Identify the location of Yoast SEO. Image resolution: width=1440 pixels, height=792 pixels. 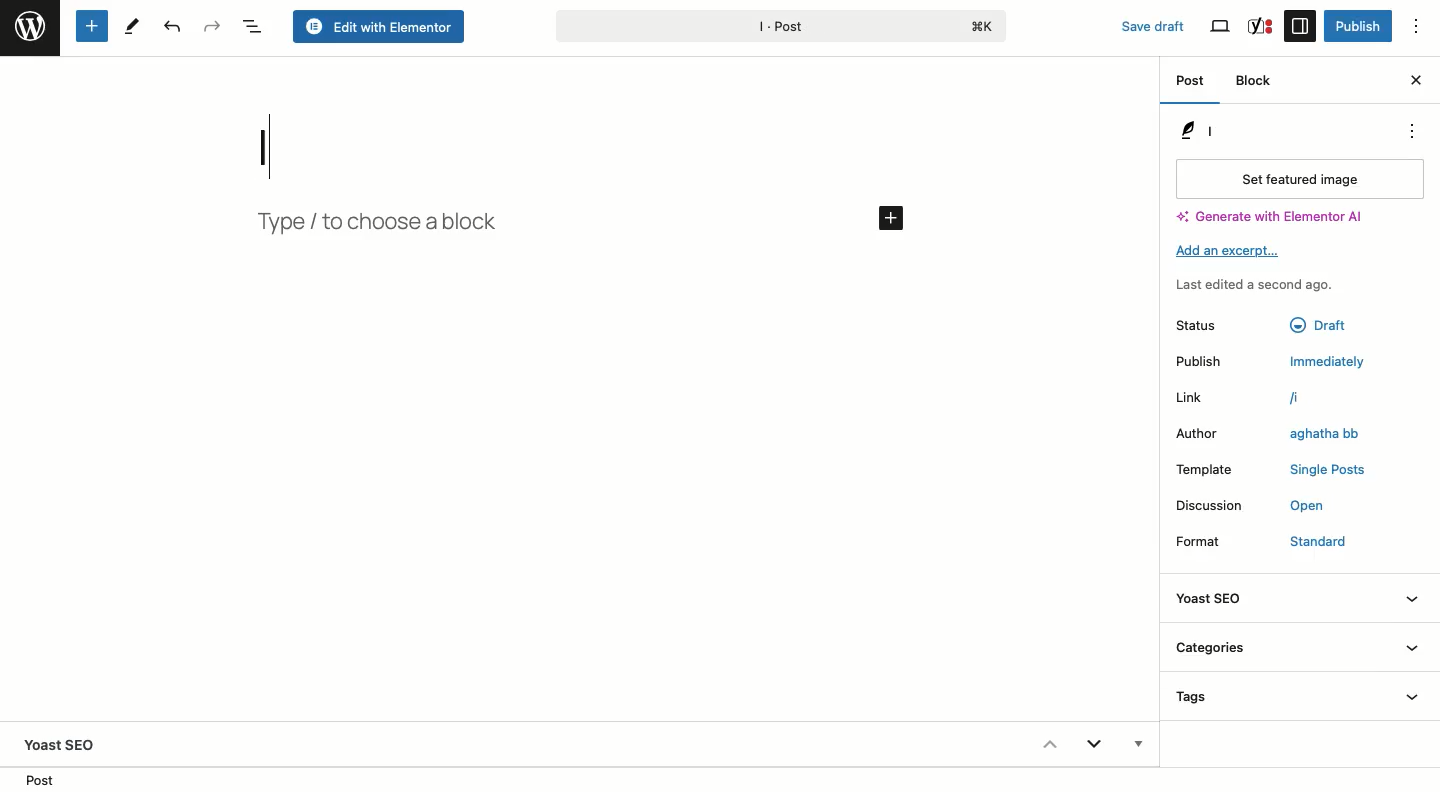
(1298, 599).